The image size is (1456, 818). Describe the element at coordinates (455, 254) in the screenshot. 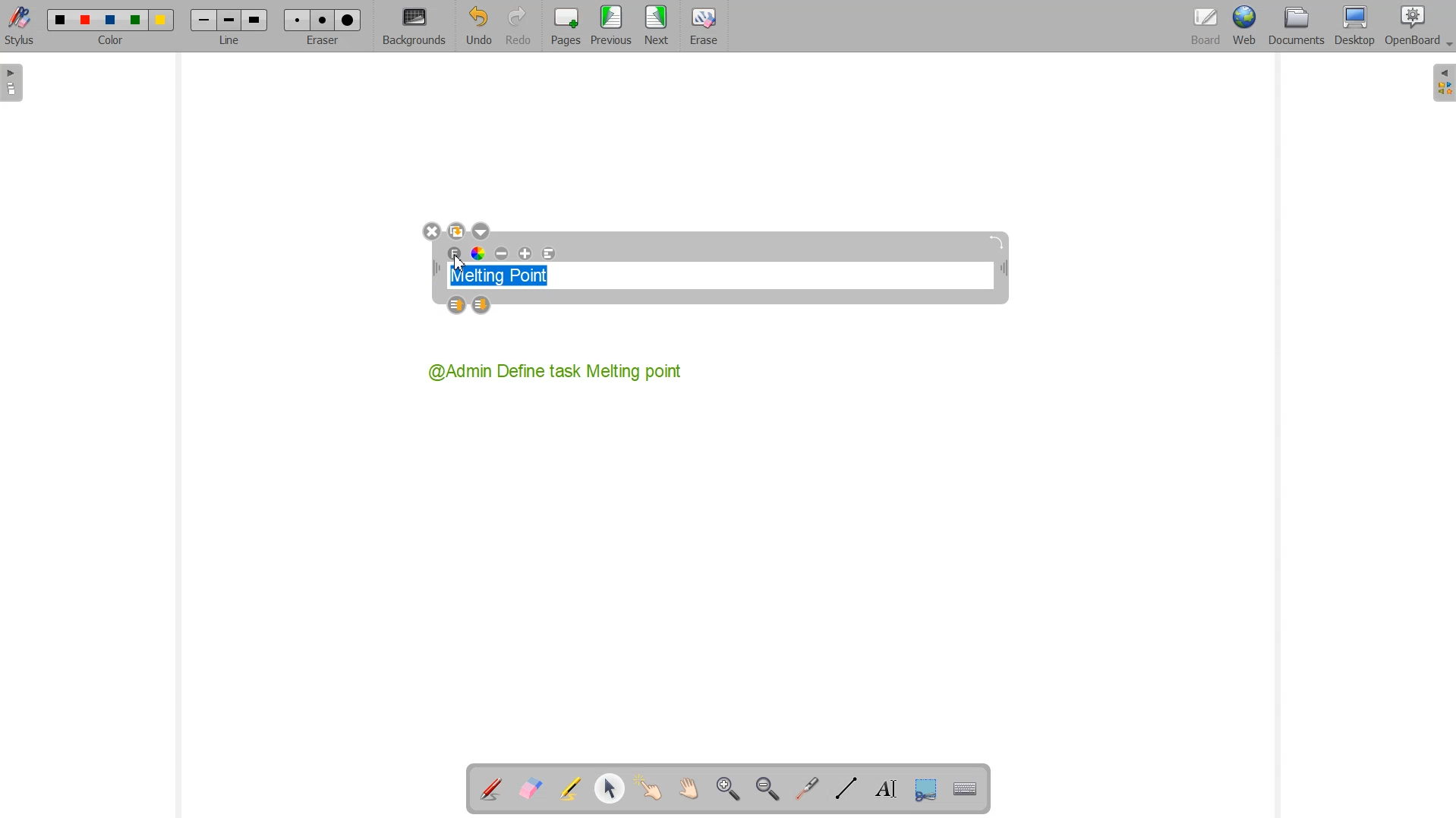

I see `Font Text ` at that location.